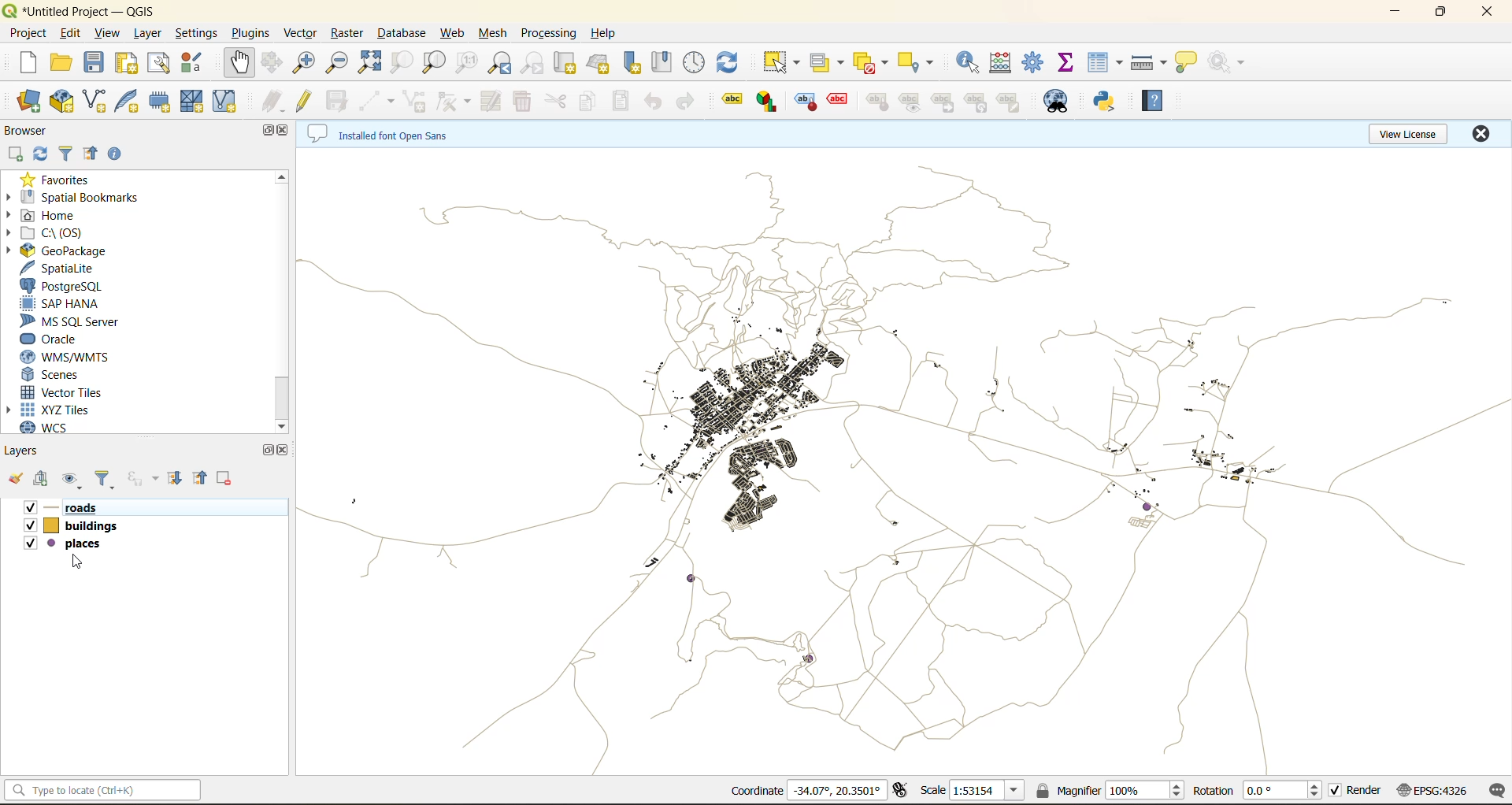 The image size is (1512, 805). I want to click on new, so click(24, 63).